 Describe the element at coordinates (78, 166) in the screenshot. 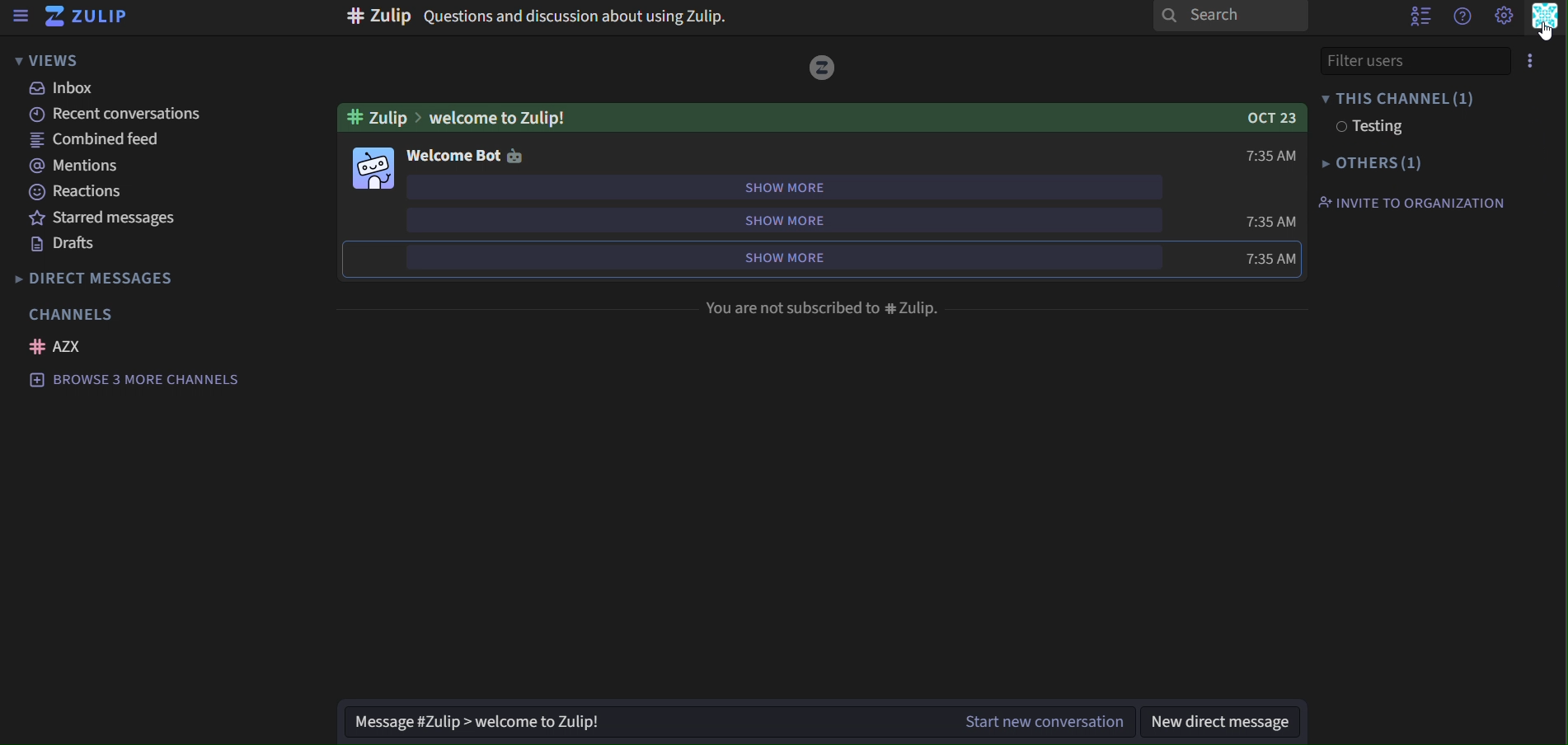

I see `mentions` at that location.